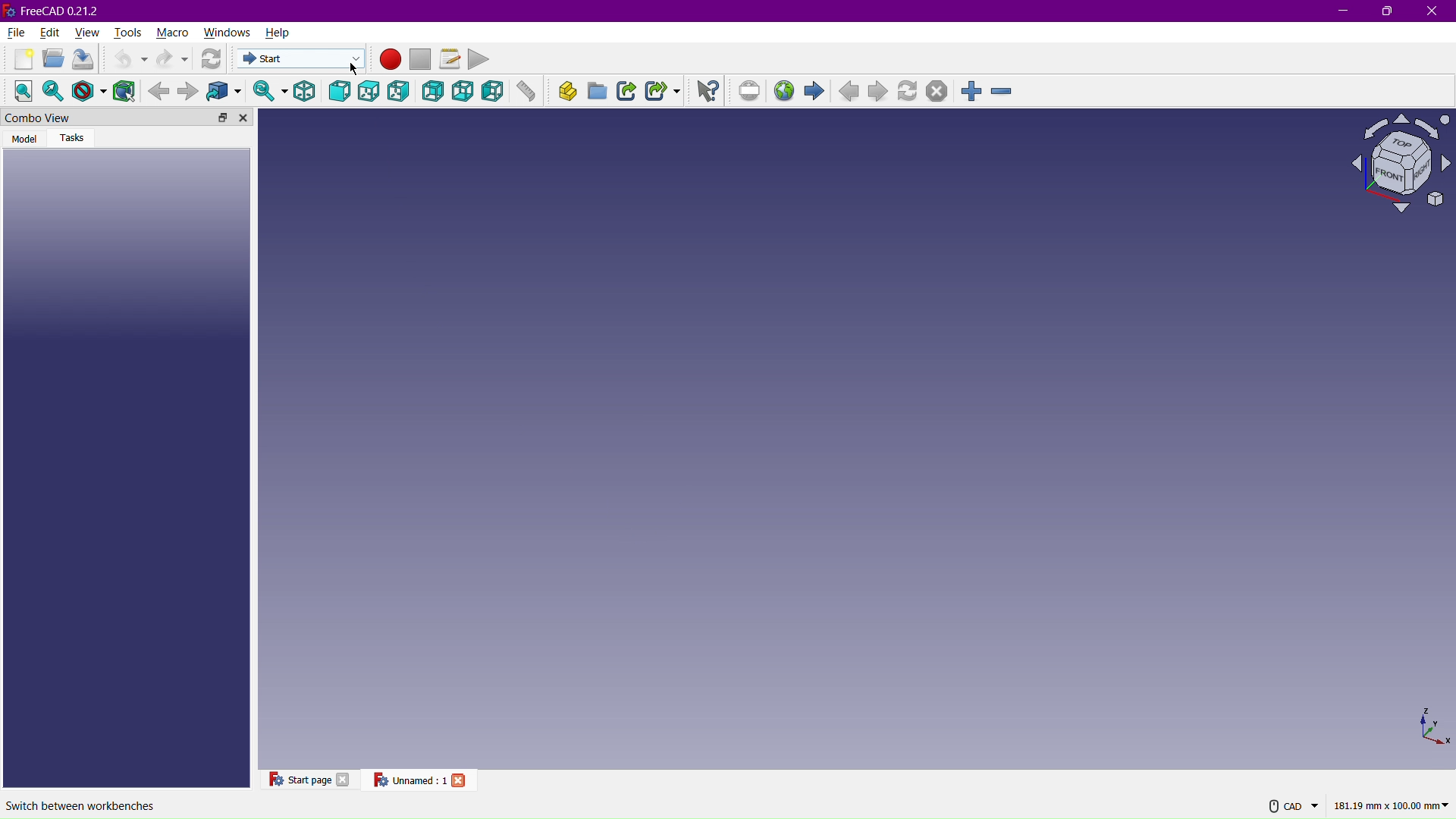  What do you see at coordinates (848, 93) in the screenshot?
I see `Previous Page` at bounding box center [848, 93].